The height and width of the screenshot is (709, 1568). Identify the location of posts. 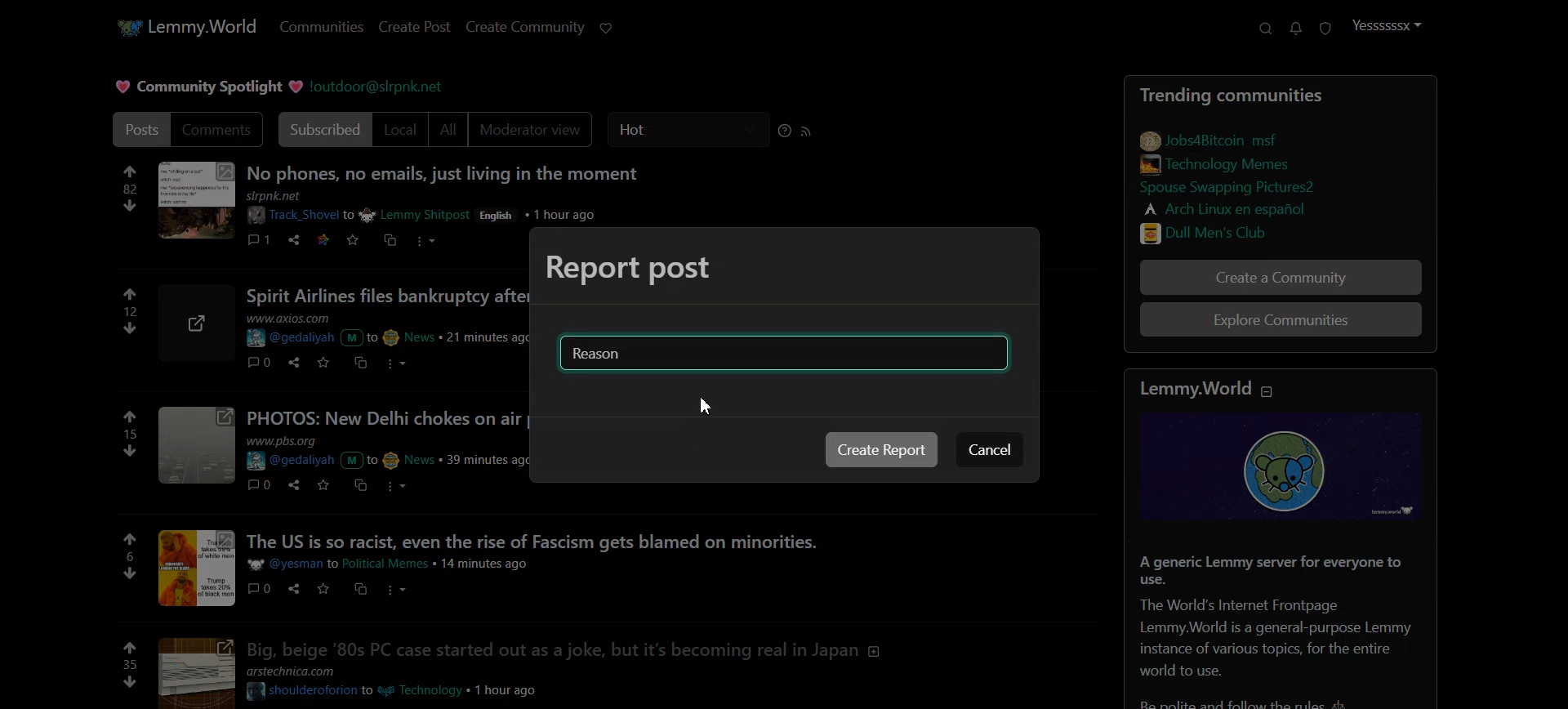
(385, 415).